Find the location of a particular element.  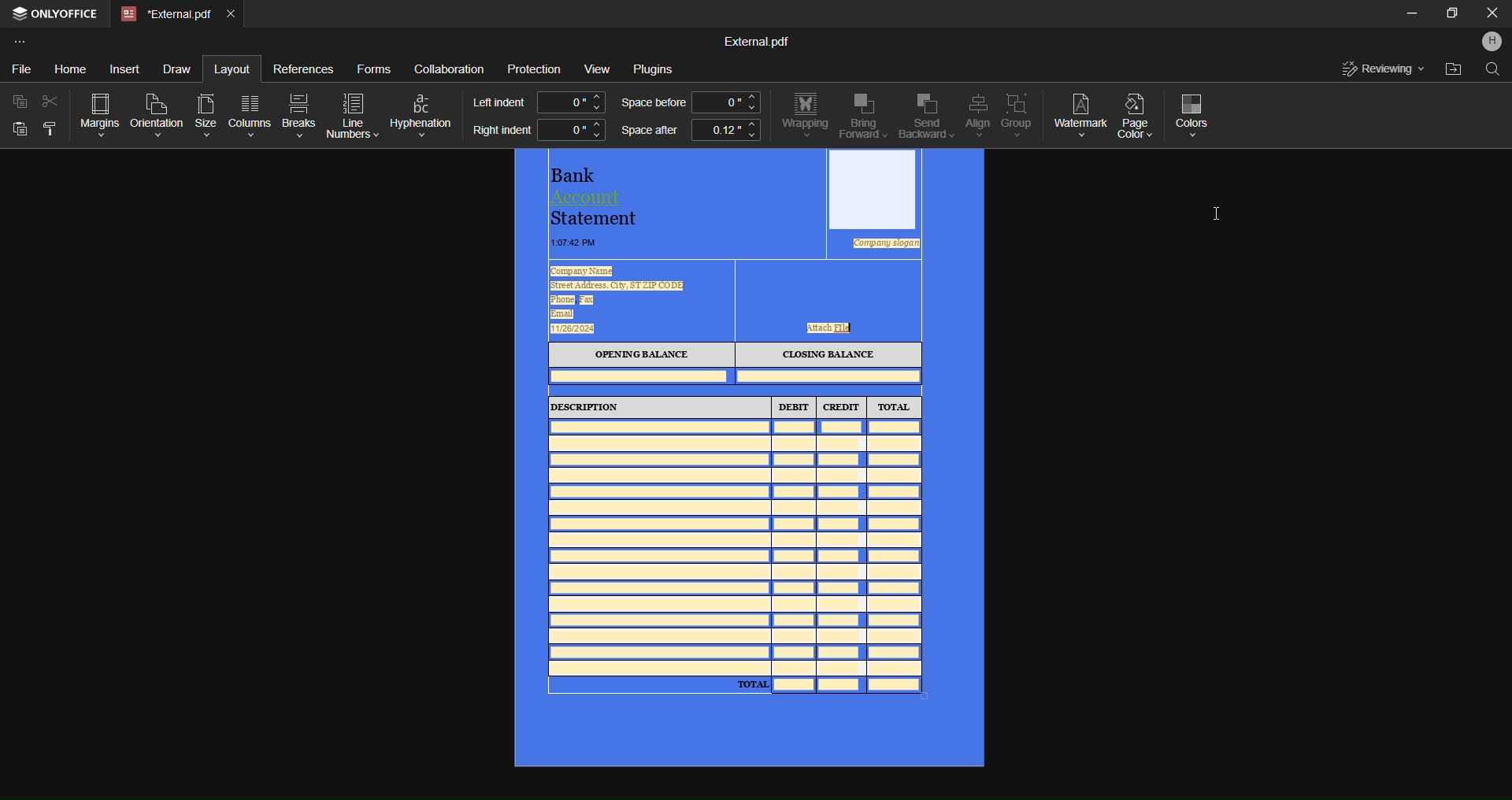

Line Numbers is located at coordinates (354, 115).